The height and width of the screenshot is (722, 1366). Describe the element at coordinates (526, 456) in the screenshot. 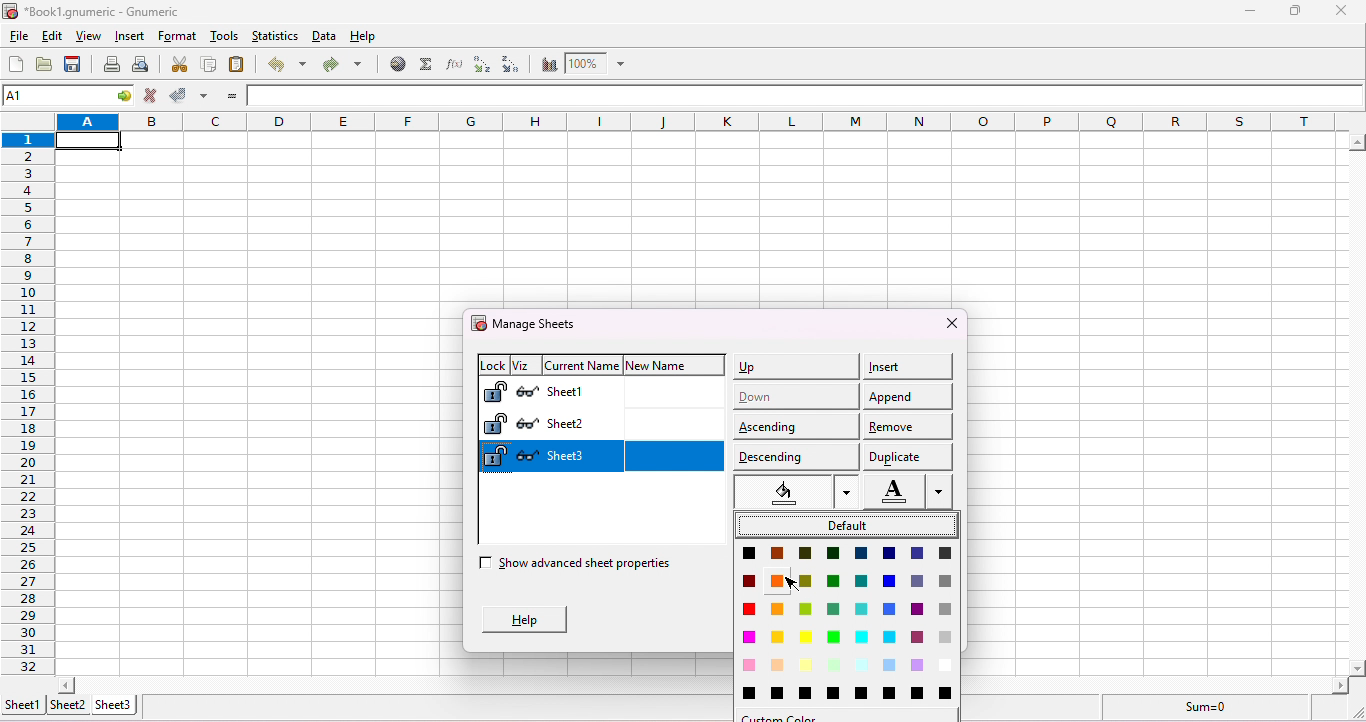

I see `Hide sheet 3` at that location.